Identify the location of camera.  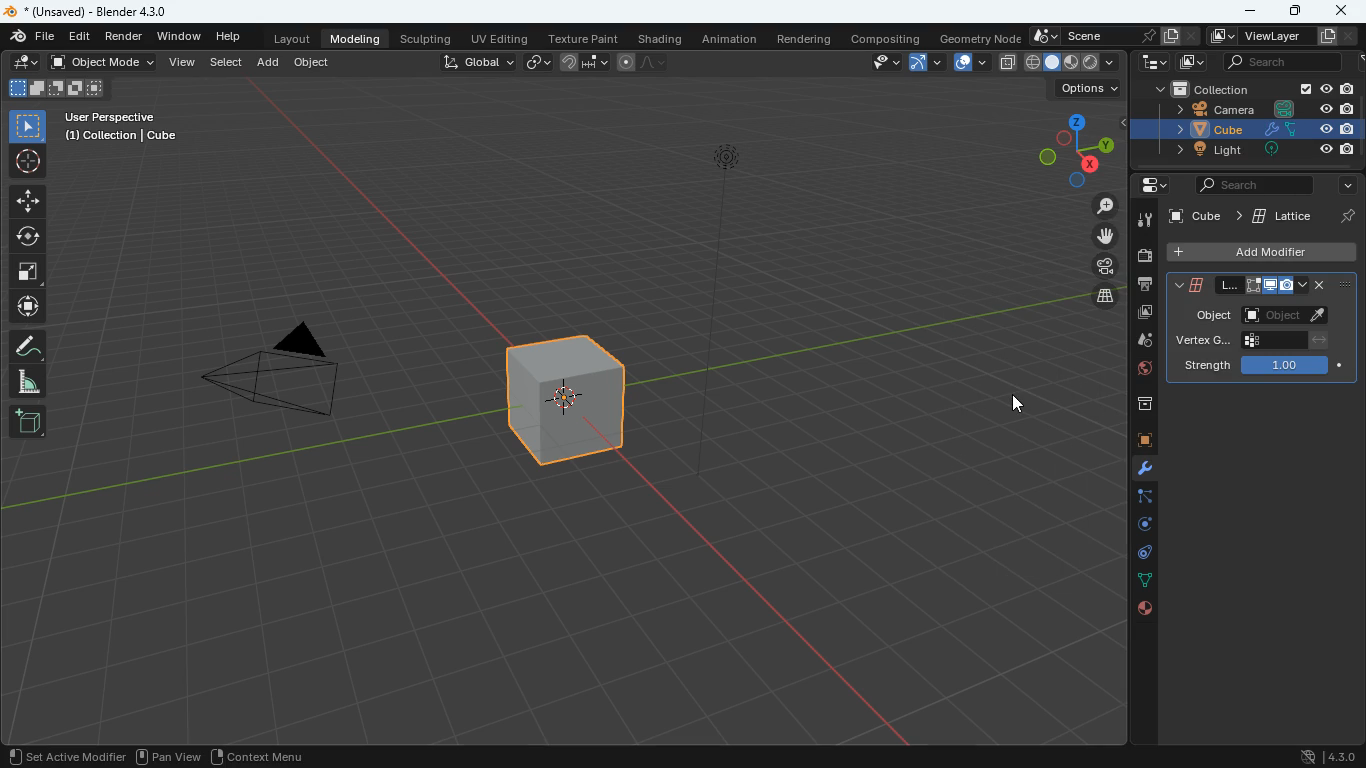
(283, 374).